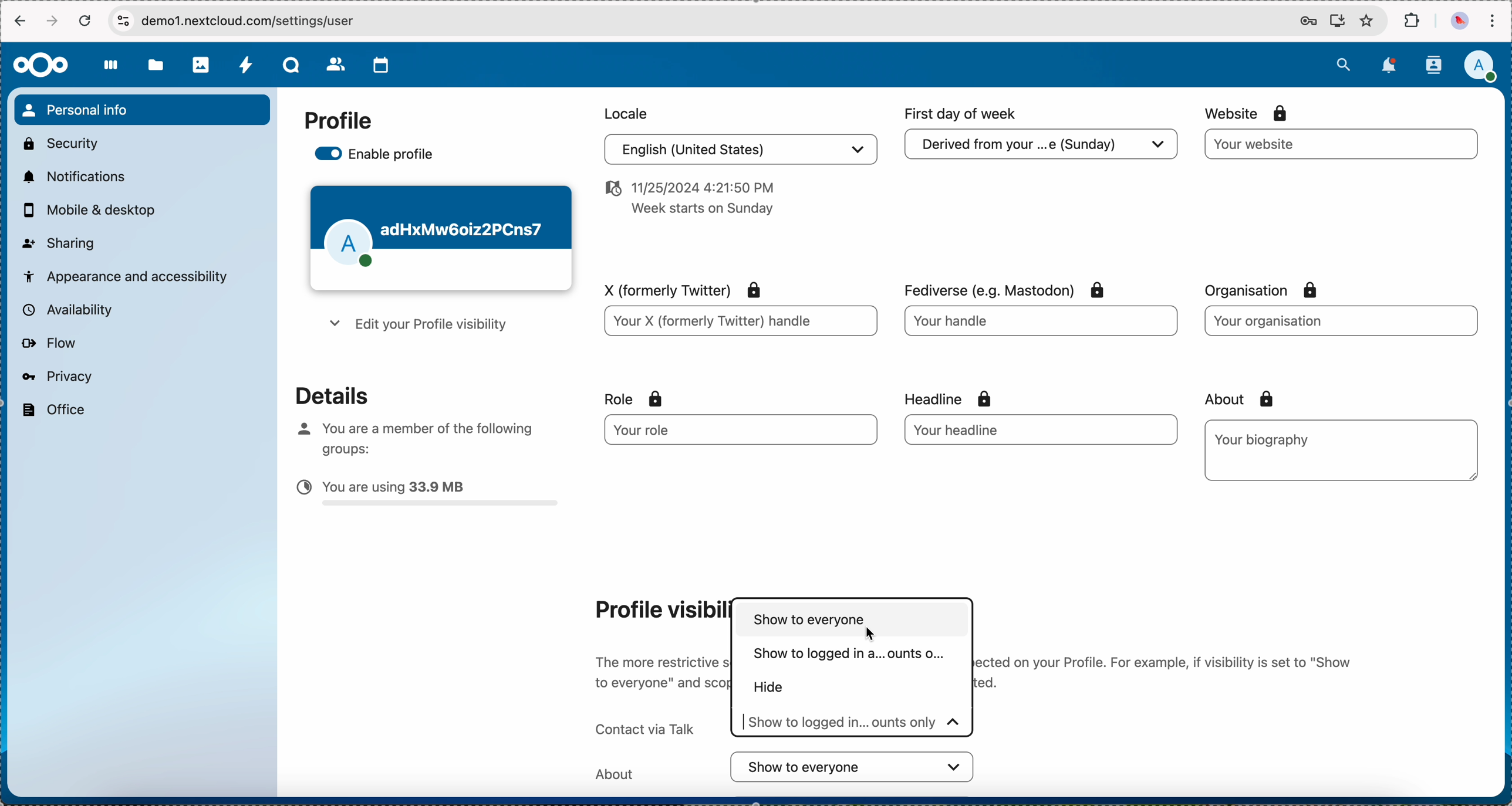 This screenshot has height=806, width=1512. What do you see at coordinates (440, 239) in the screenshot?
I see `profile theme` at bounding box center [440, 239].